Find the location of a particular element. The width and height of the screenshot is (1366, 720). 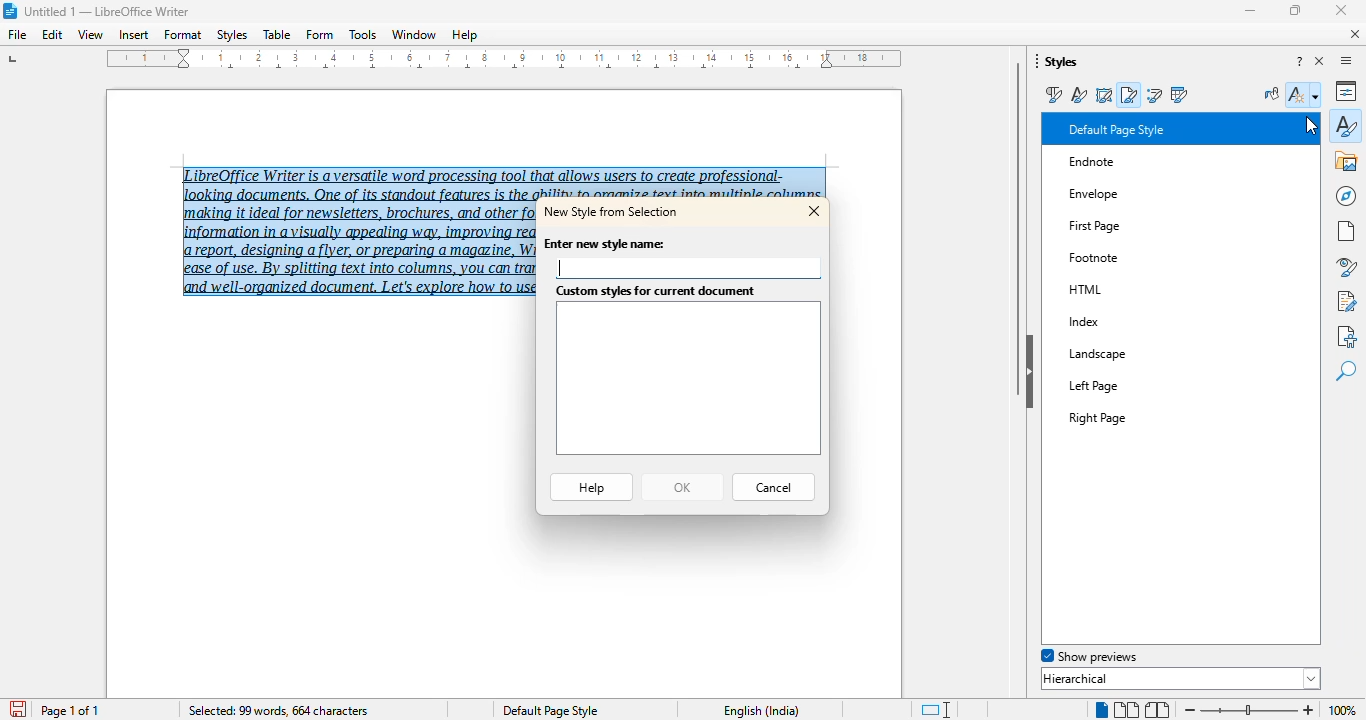

 Landscape is located at coordinates (1119, 353).